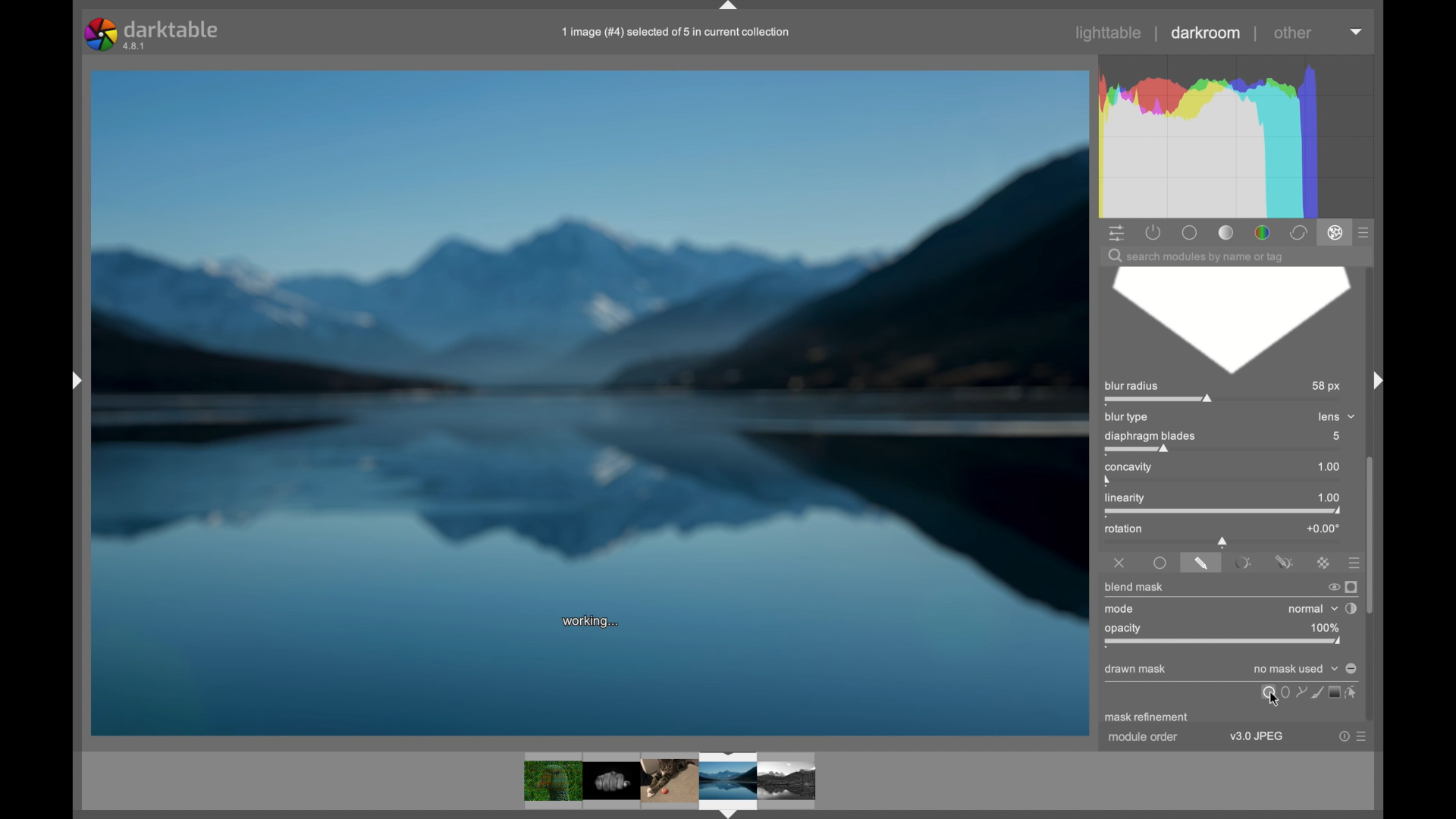  I want to click on photos, so click(669, 781).